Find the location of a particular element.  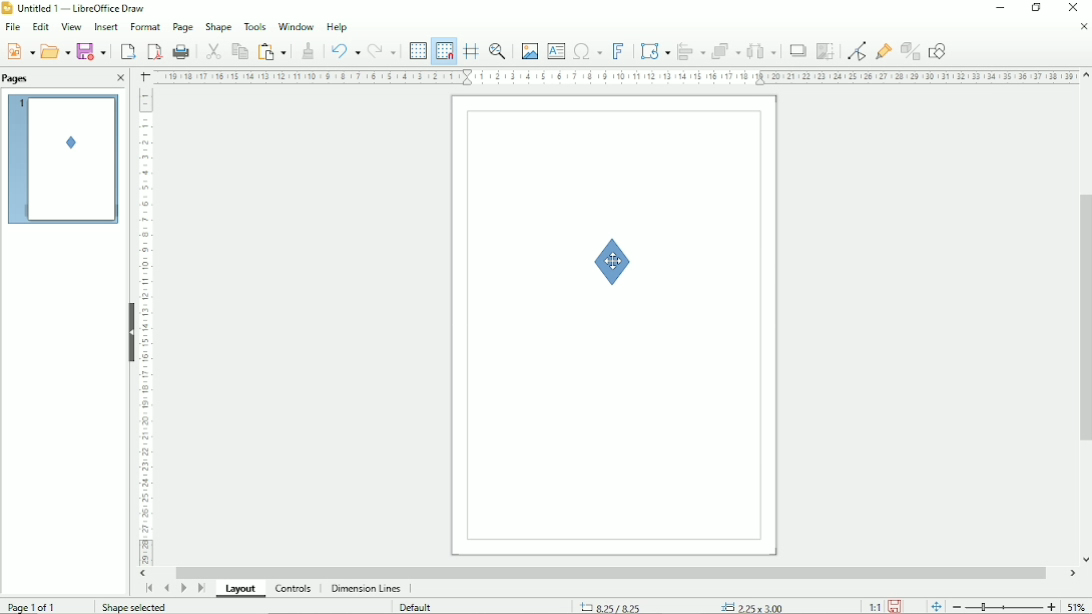

Close is located at coordinates (122, 79).